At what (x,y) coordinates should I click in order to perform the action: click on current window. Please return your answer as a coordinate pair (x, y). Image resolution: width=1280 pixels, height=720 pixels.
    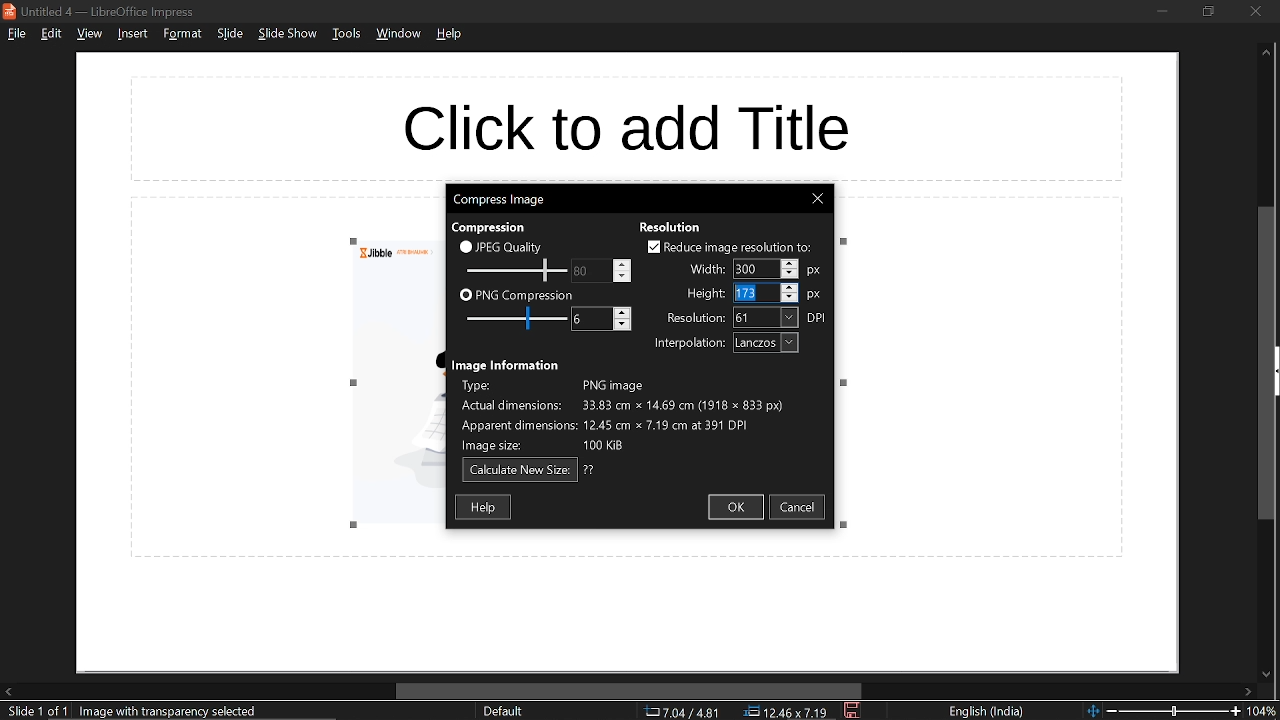
    Looking at the image, I should click on (102, 10).